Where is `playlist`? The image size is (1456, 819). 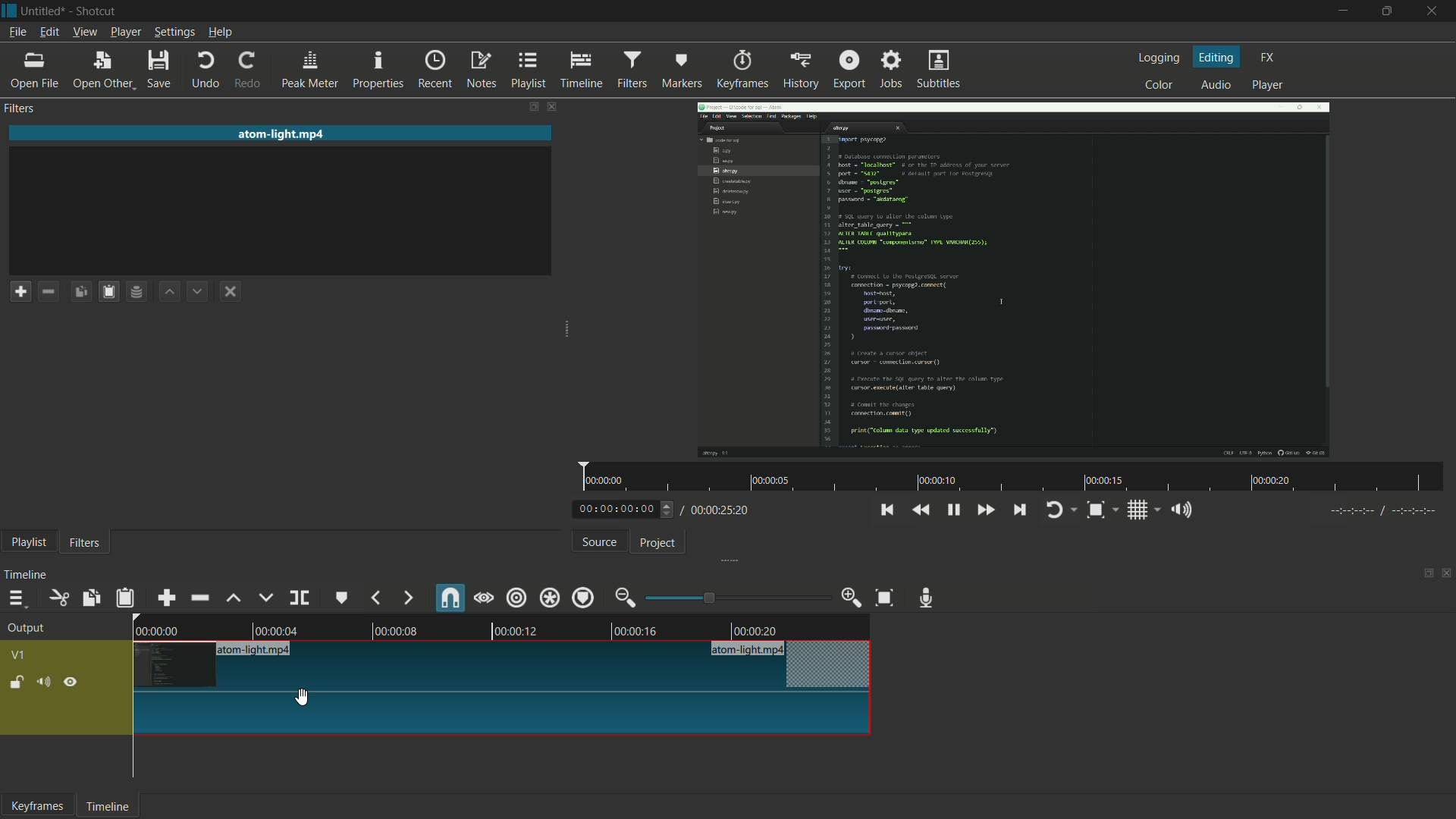
playlist is located at coordinates (28, 543).